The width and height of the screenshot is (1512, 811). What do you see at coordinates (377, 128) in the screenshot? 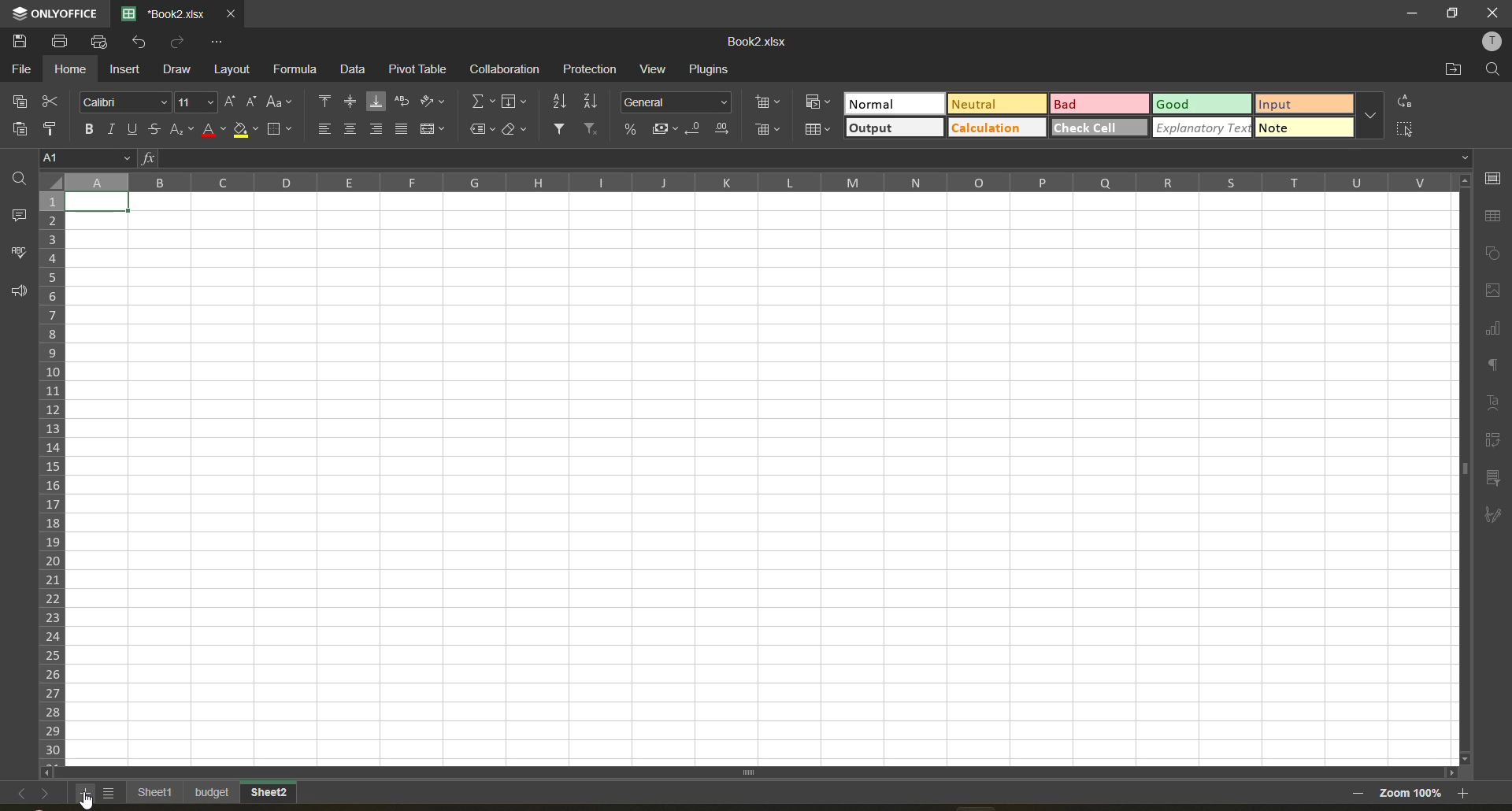
I see `align right` at bounding box center [377, 128].